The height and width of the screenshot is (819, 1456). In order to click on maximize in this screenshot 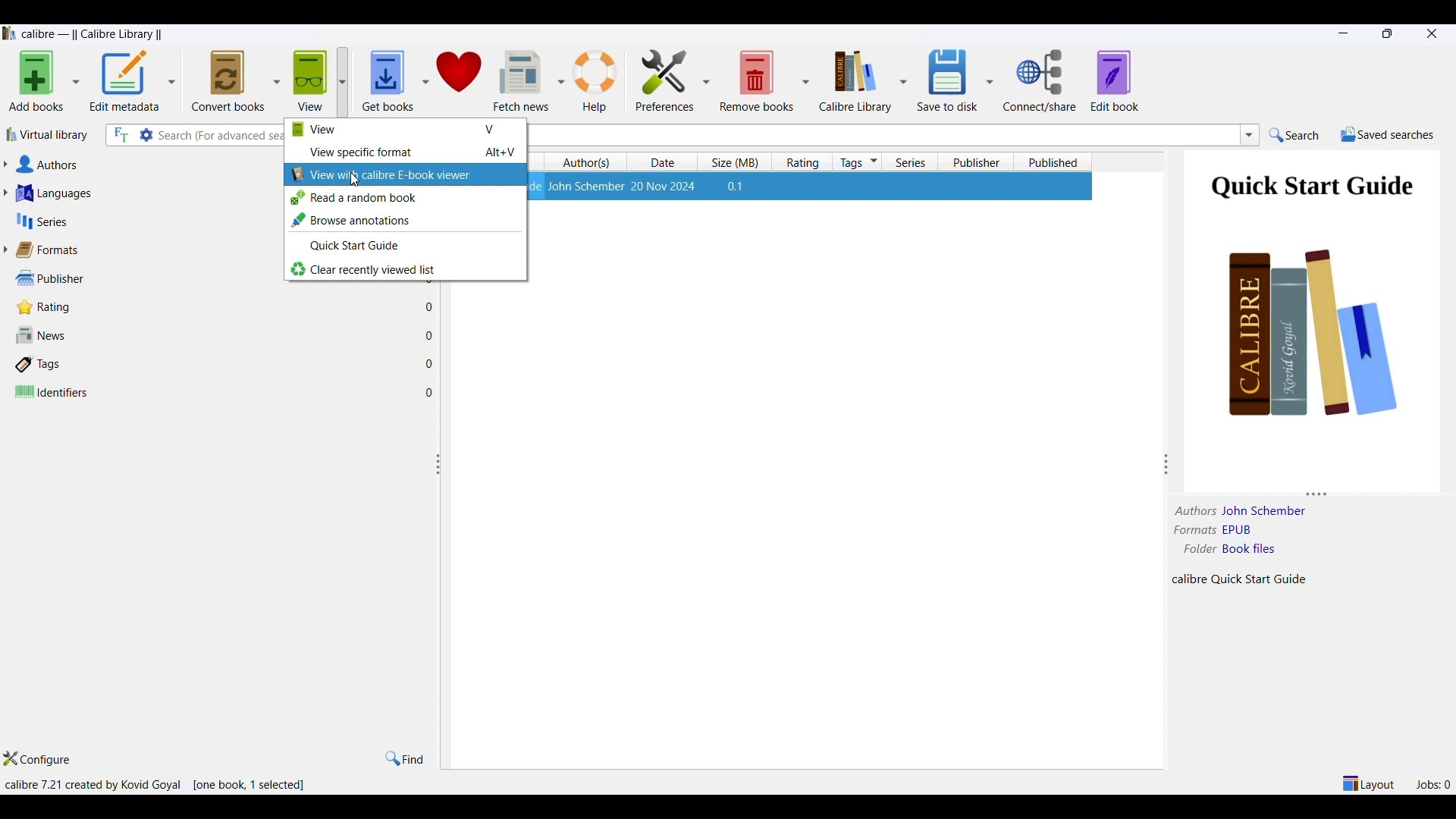, I will do `click(1391, 35)`.